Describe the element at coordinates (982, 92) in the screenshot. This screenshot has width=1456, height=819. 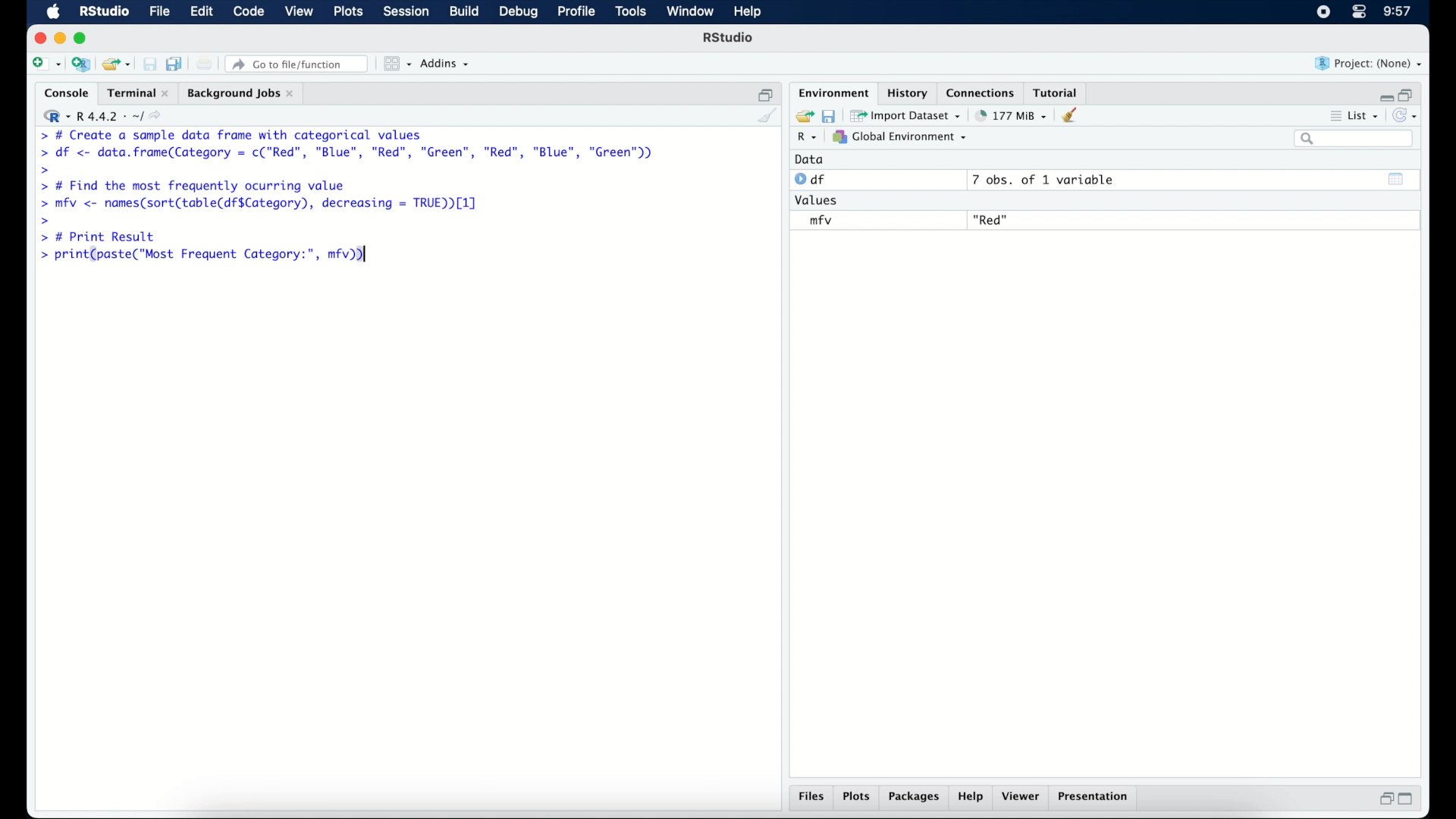
I see `connections` at that location.